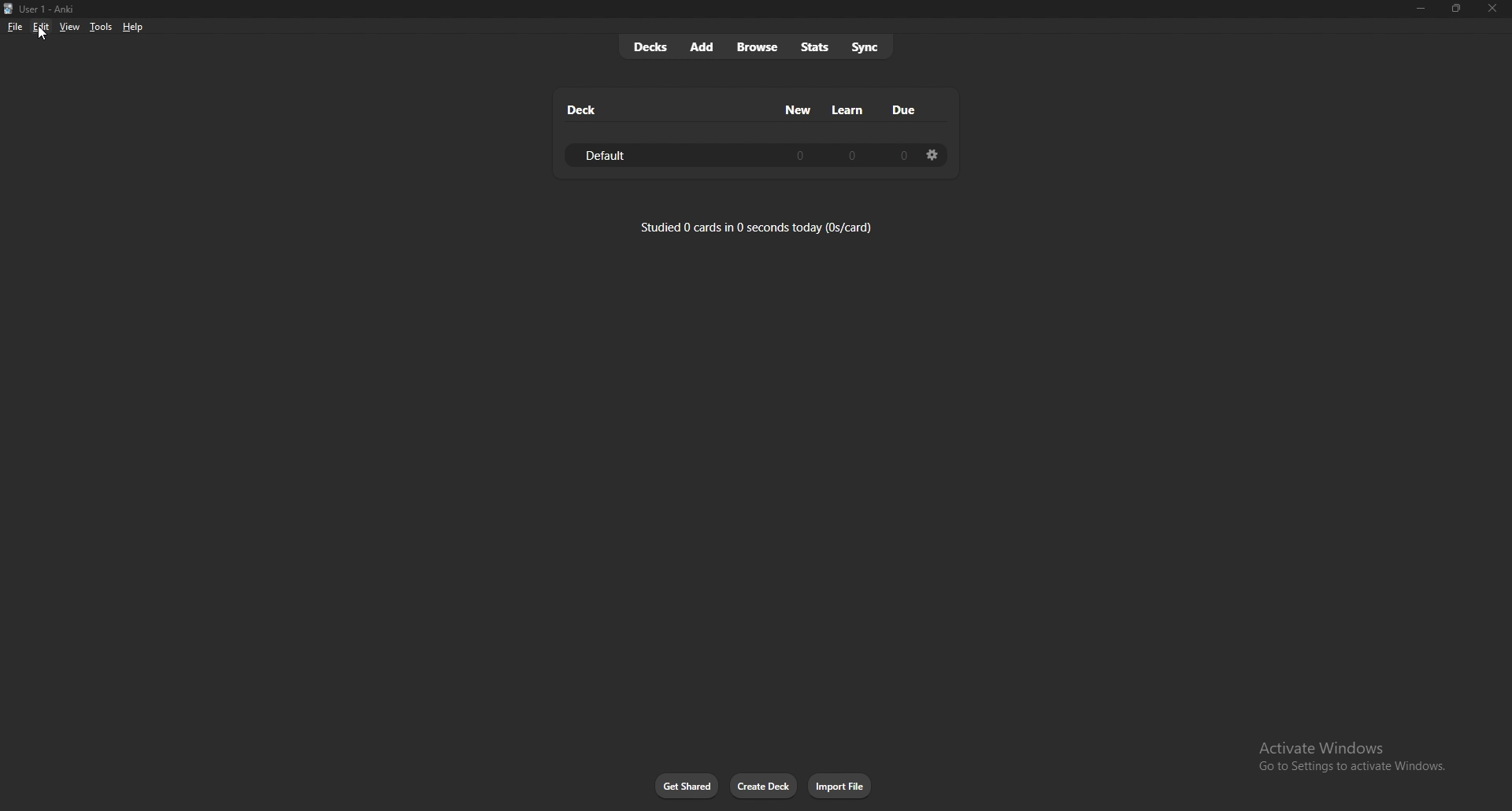  Describe the element at coordinates (1455, 9) in the screenshot. I see `Maximize/resize` at that location.